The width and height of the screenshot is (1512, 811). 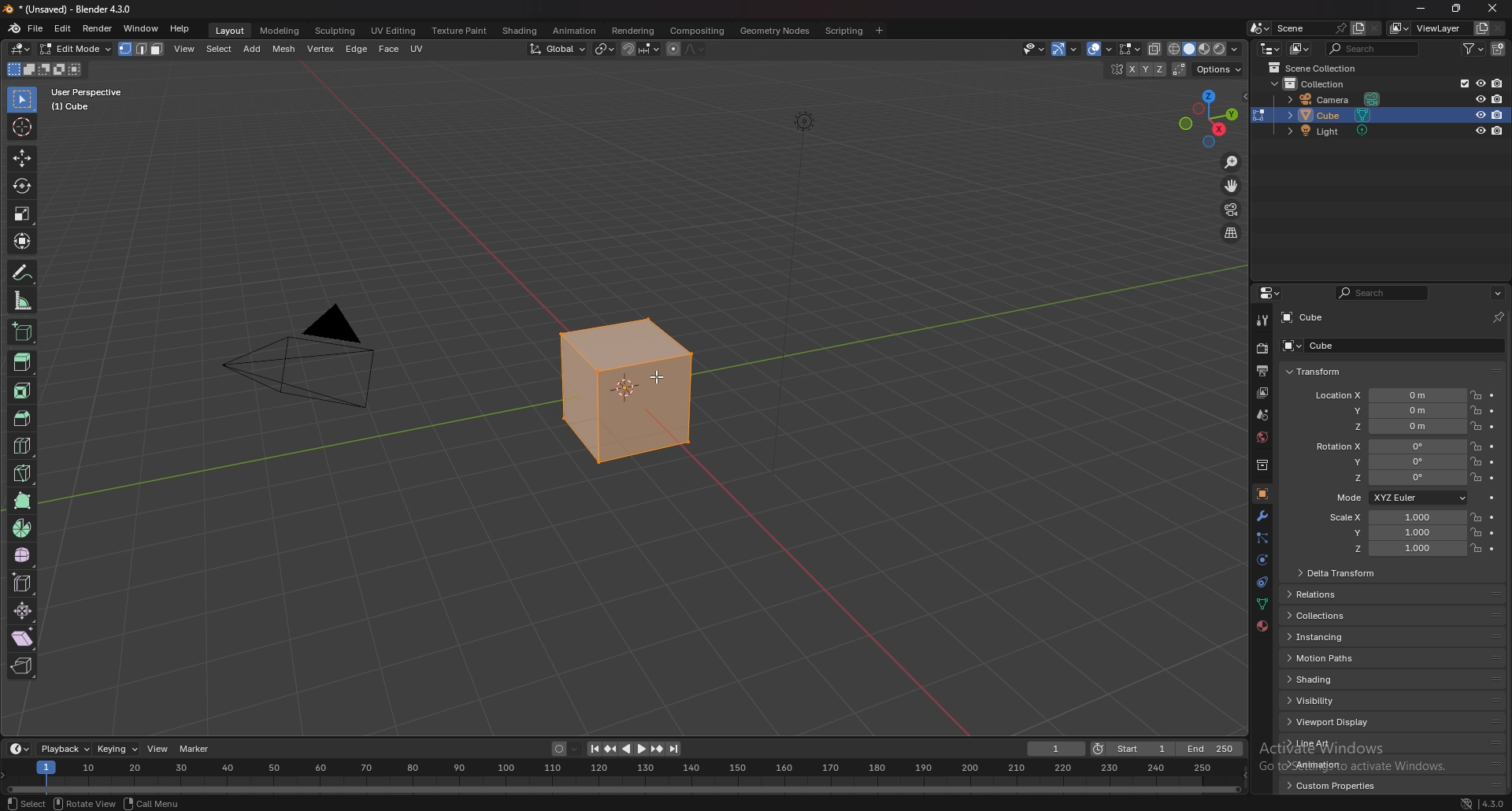 What do you see at coordinates (21, 665) in the screenshot?
I see `rip region` at bounding box center [21, 665].